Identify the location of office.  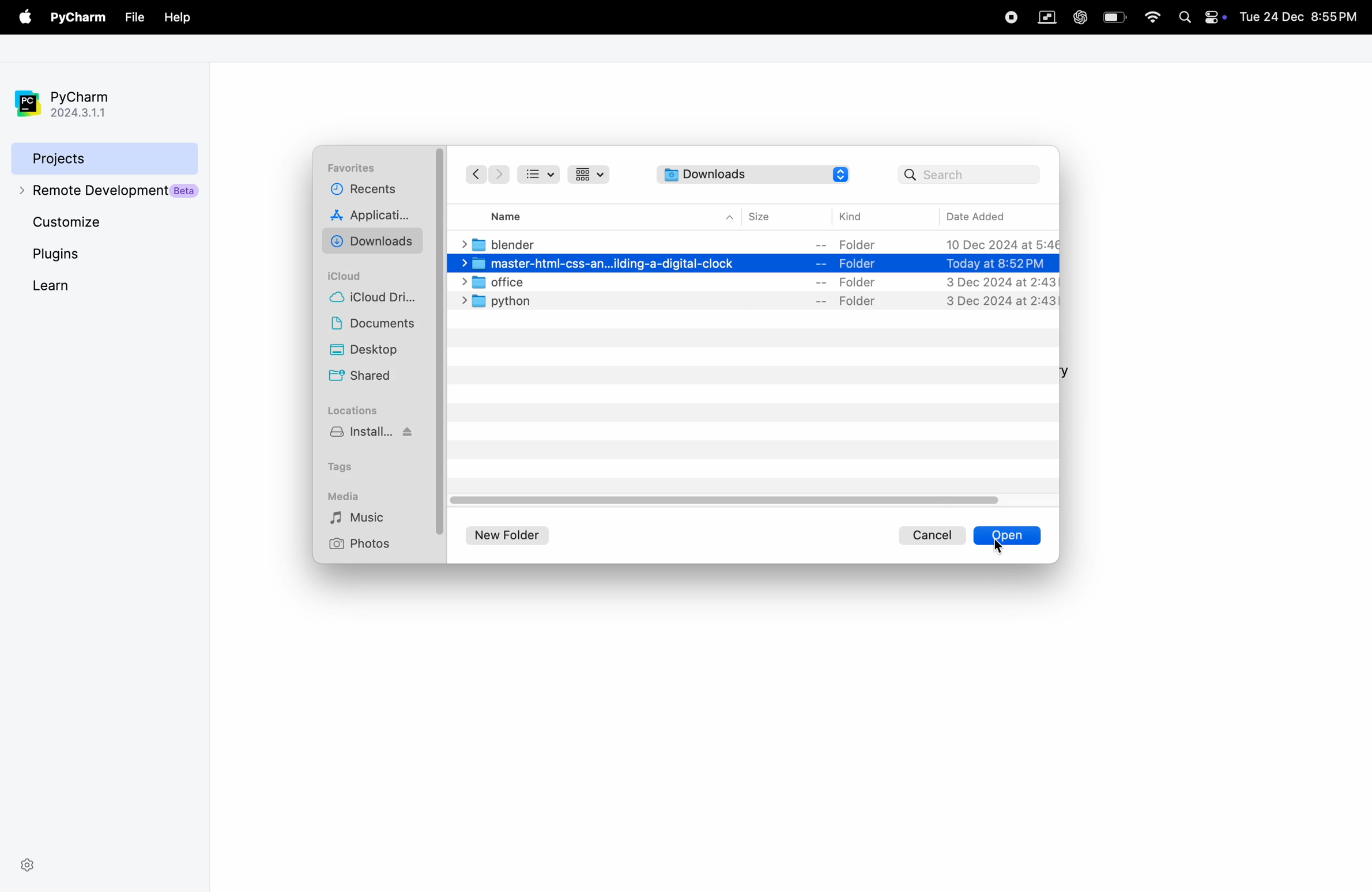
(754, 282).